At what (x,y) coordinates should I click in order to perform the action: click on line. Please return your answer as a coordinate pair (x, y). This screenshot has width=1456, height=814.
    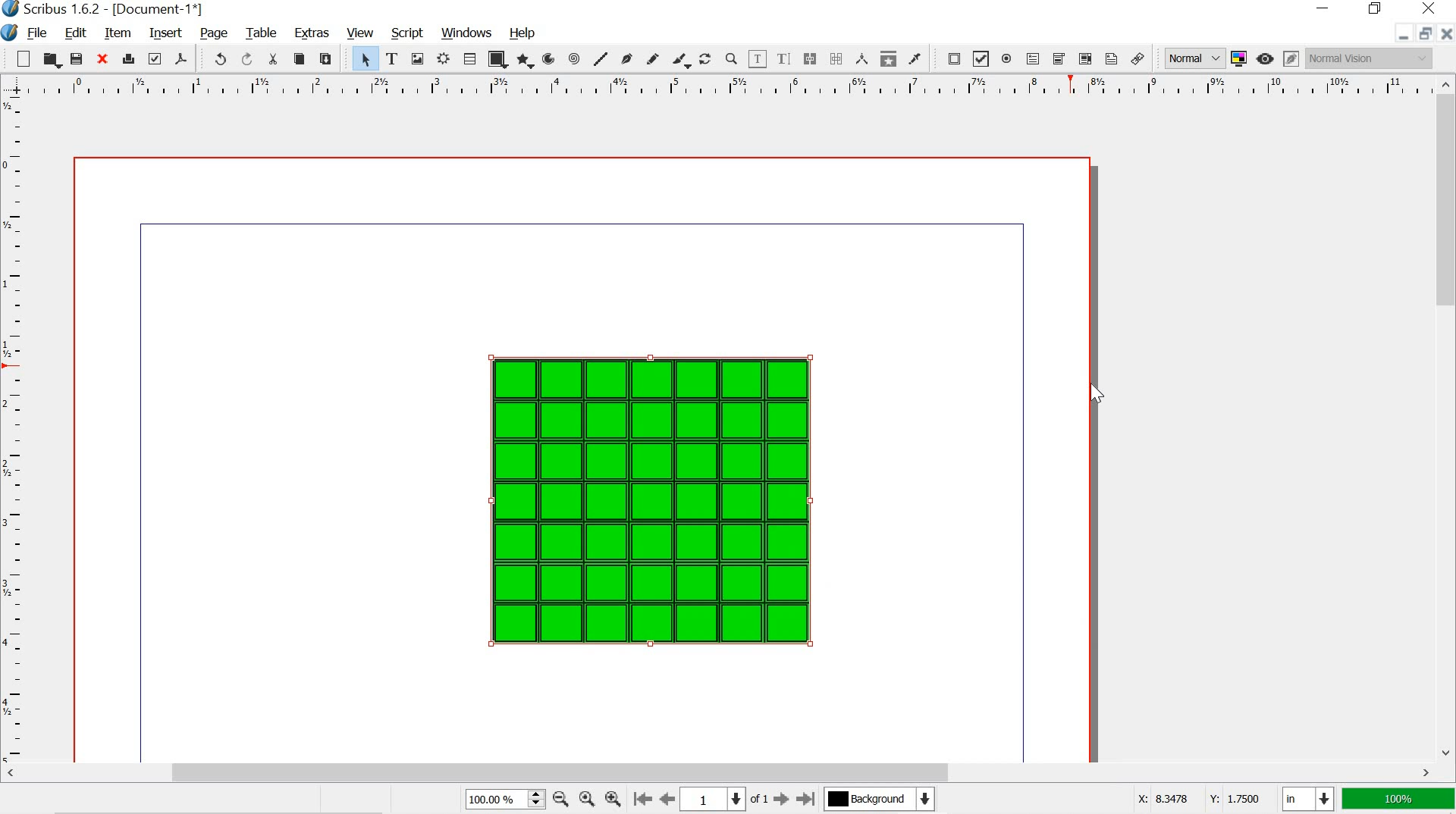
    Looking at the image, I should click on (602, 56).